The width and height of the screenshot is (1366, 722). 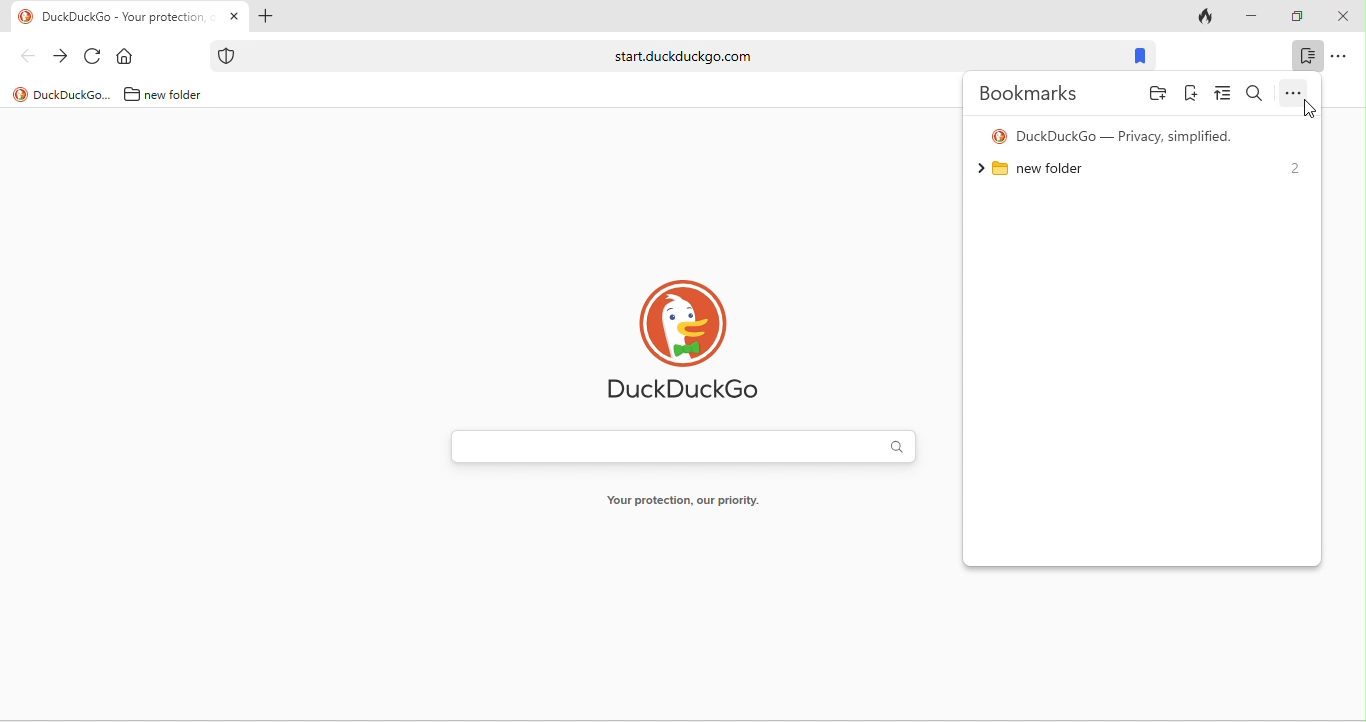 I want to click on forward, so click(x=59, y=56).